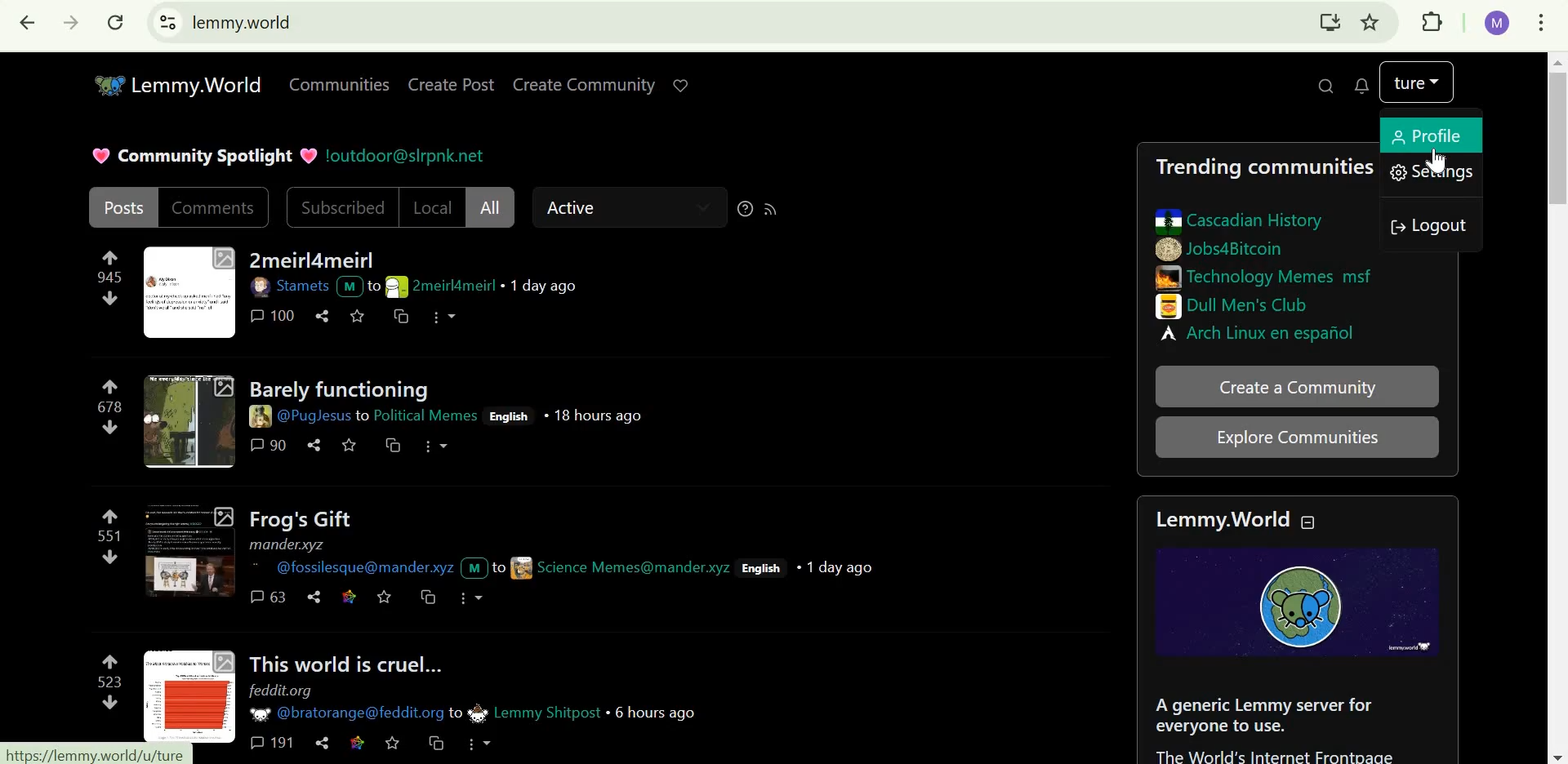  What do you see at coordinates (510, 416) in the screenshot?
I see `English` at bounding box center [510, 416].